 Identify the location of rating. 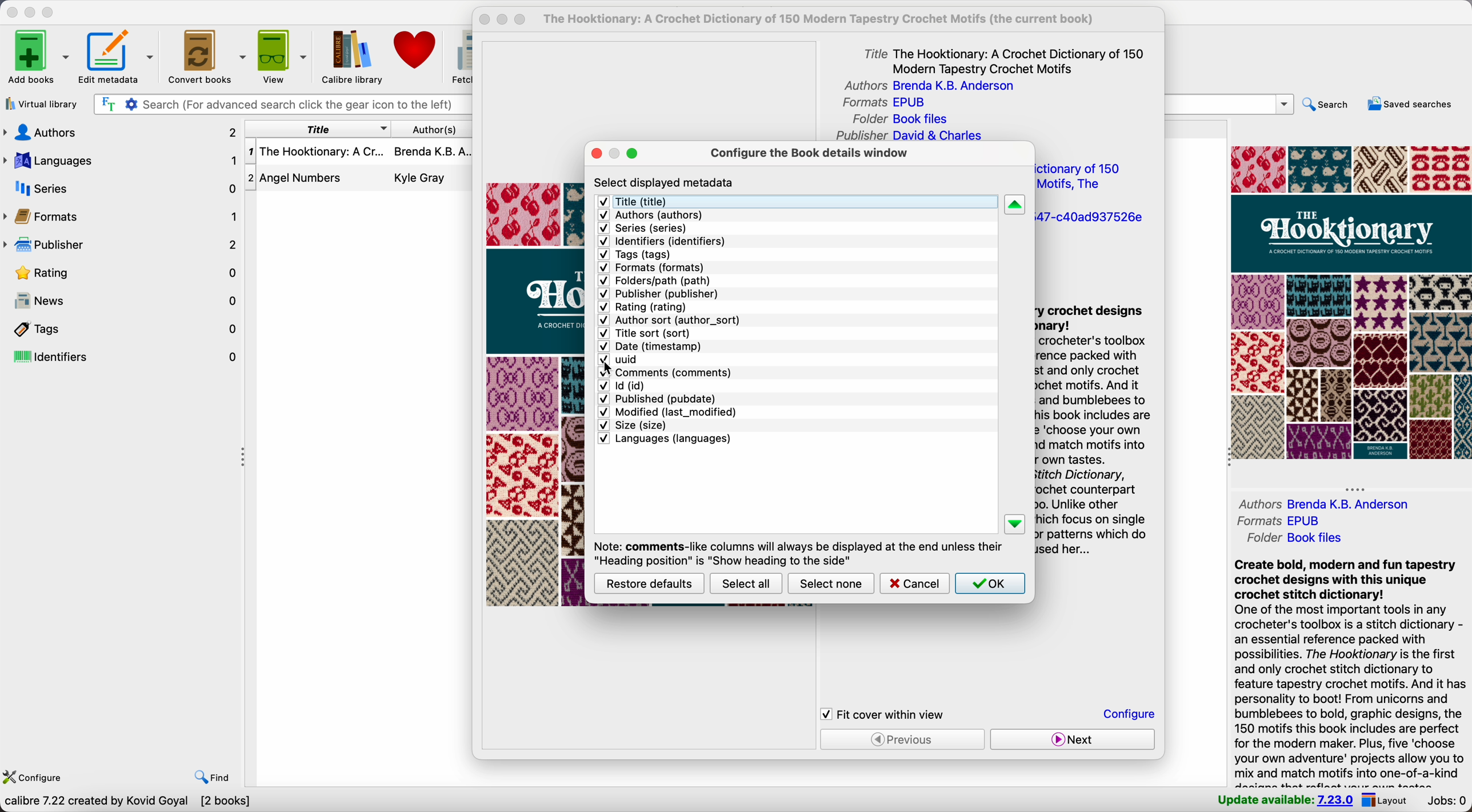
(644, 308).